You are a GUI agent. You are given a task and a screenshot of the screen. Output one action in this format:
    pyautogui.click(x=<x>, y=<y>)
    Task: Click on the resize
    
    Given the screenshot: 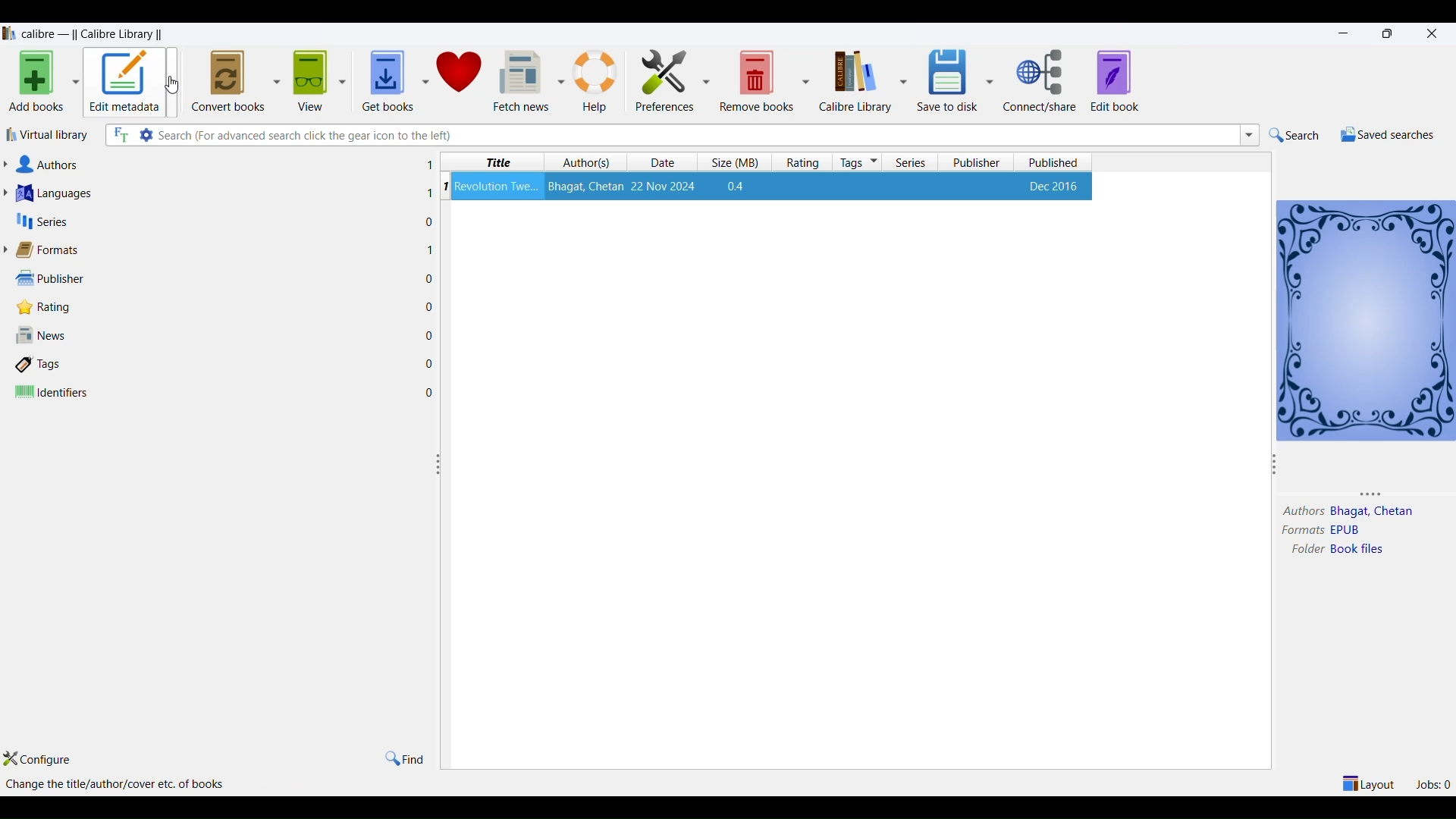 What is the action you would take?
    pyautogui.click(x=1275, y=463)
    